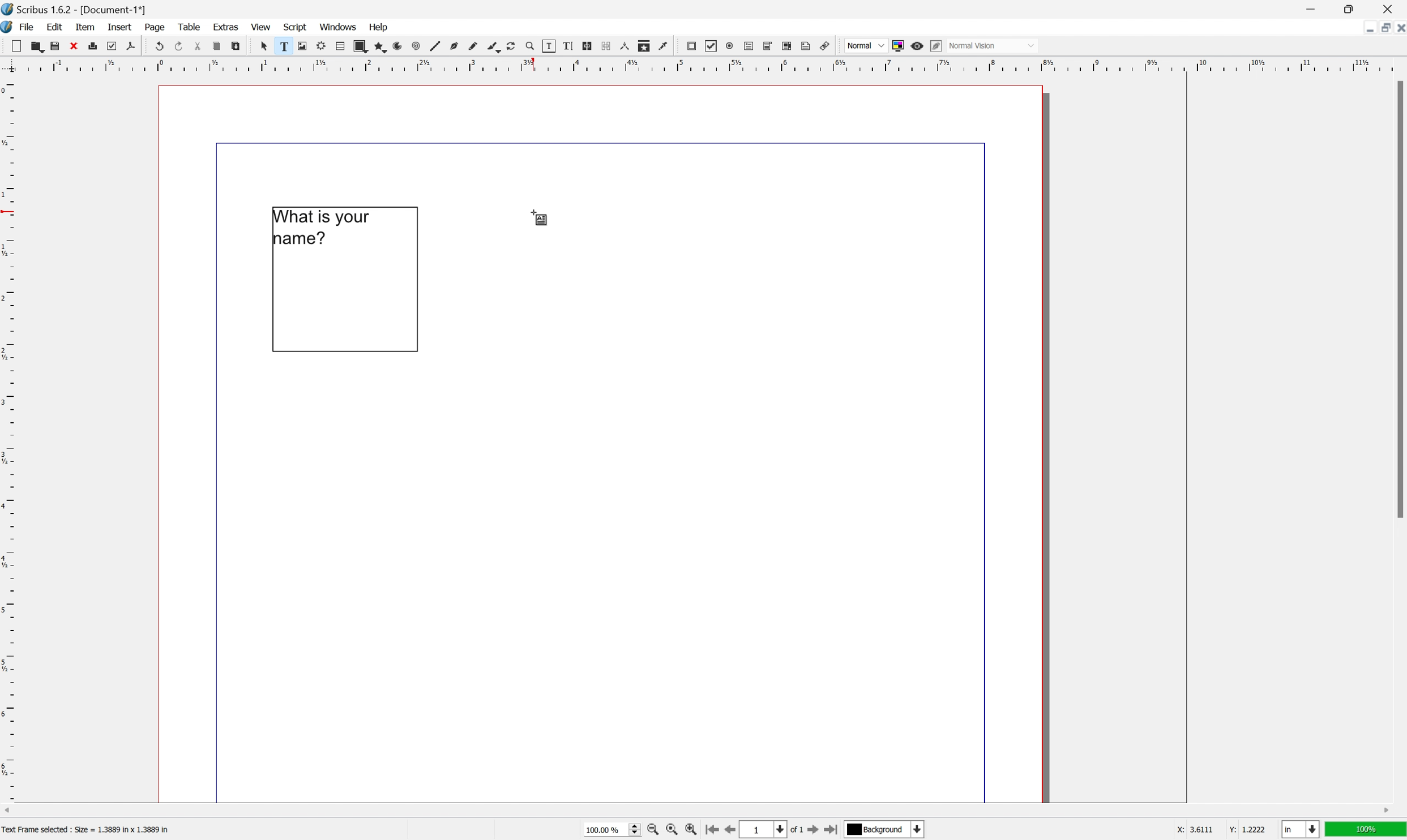 This screenshot has width=1407, height=840. I want to click on shape, so click(360, 46).